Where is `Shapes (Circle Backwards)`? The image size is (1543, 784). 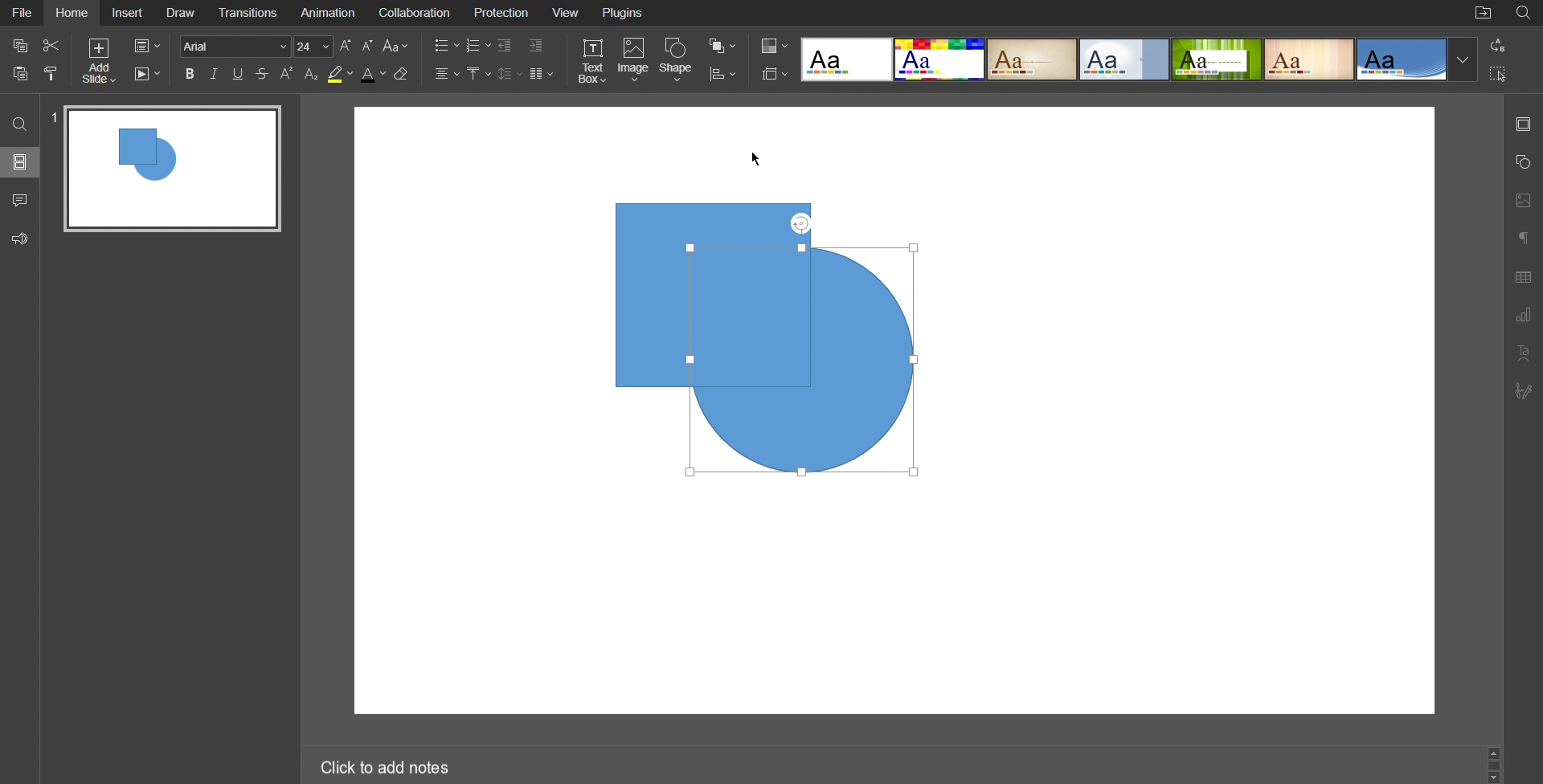 Shapes (Circle Backwards) is located at coordinates (773, 347).